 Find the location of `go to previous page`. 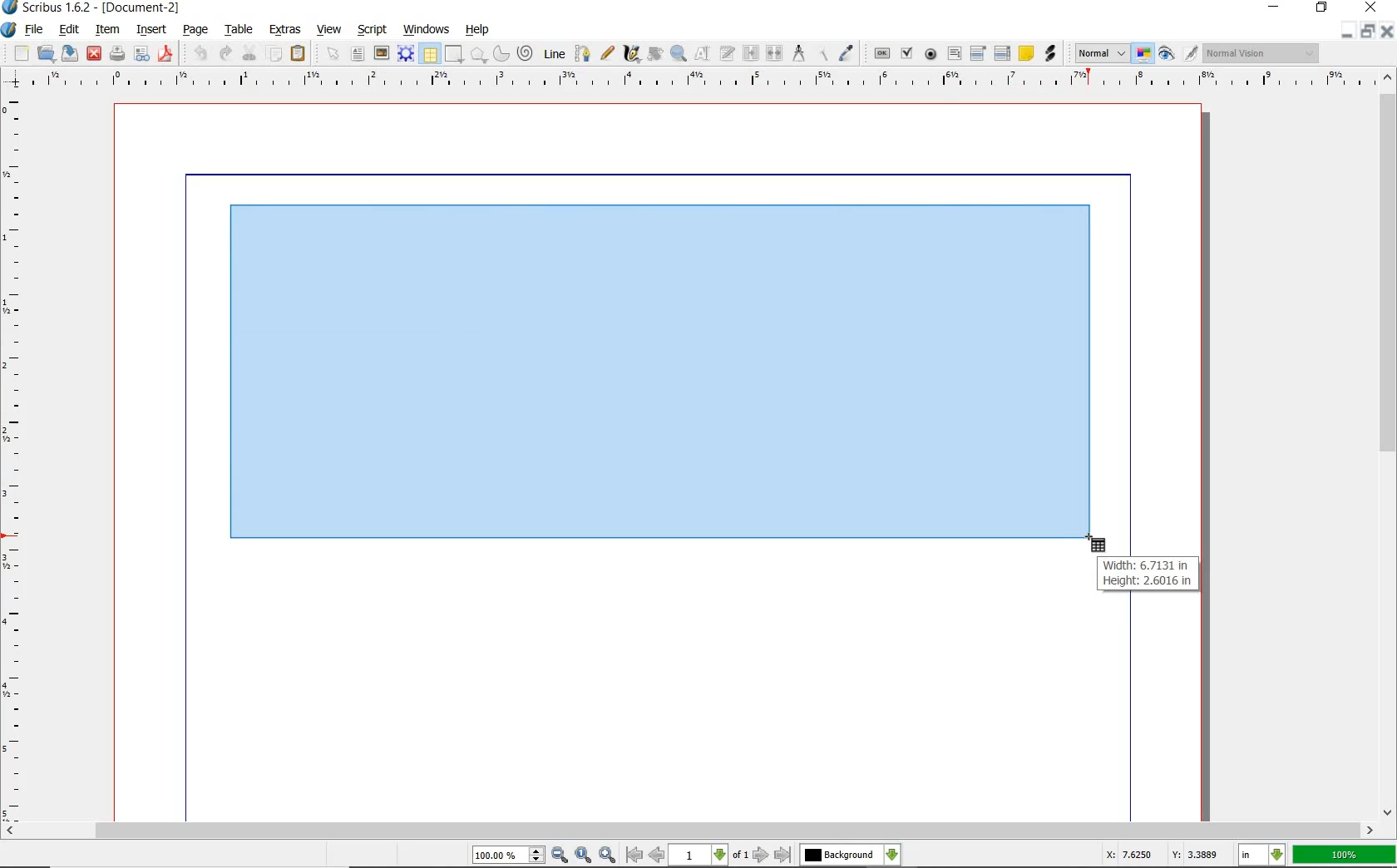

go to previous page is located at coordinates (658, 856).